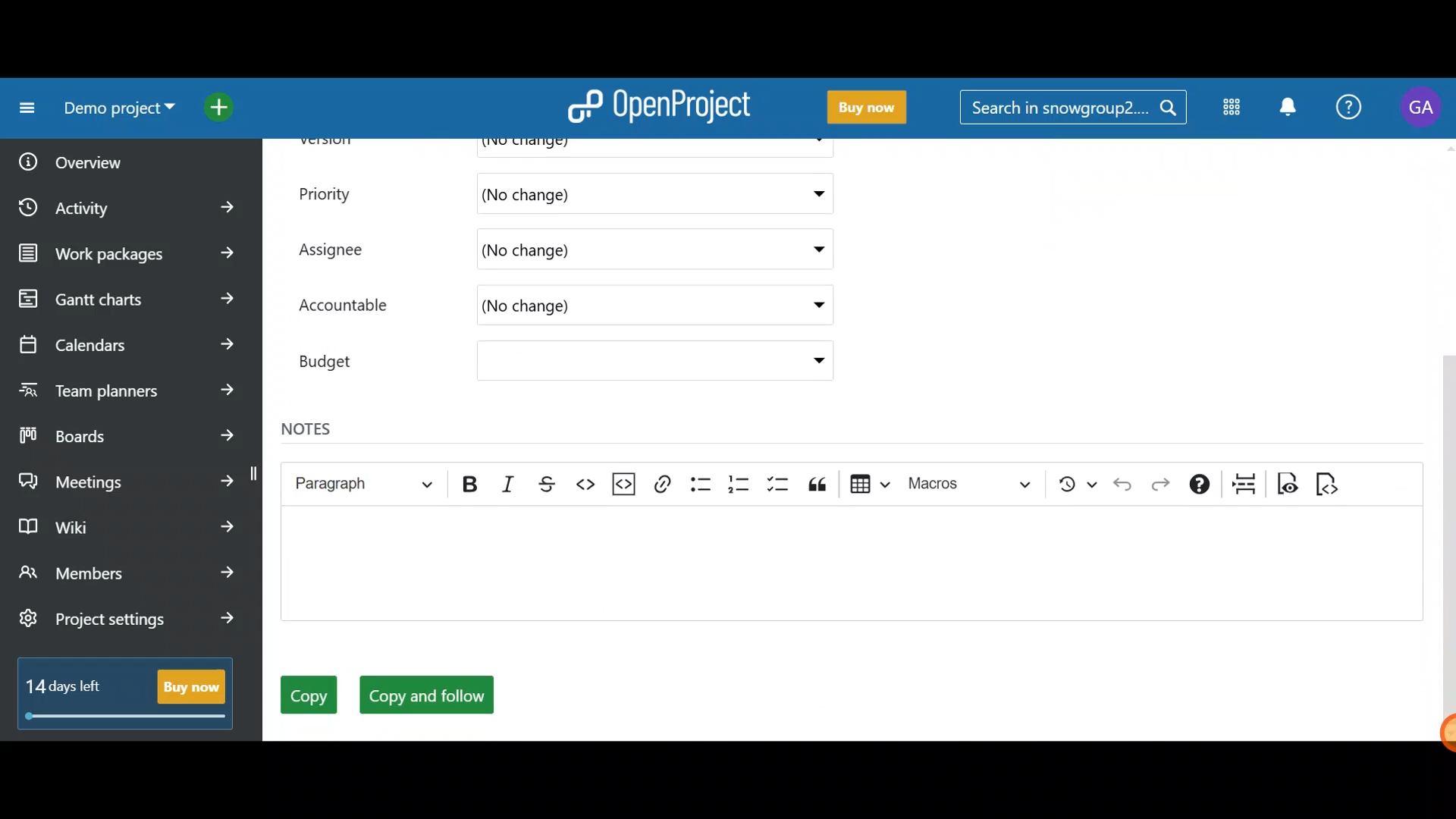 This screenshot has width=1456, height=819. What do you see at coordinates (130, 253) in the screenshot?
I see `Work packages` at bounding box center [130, 253].